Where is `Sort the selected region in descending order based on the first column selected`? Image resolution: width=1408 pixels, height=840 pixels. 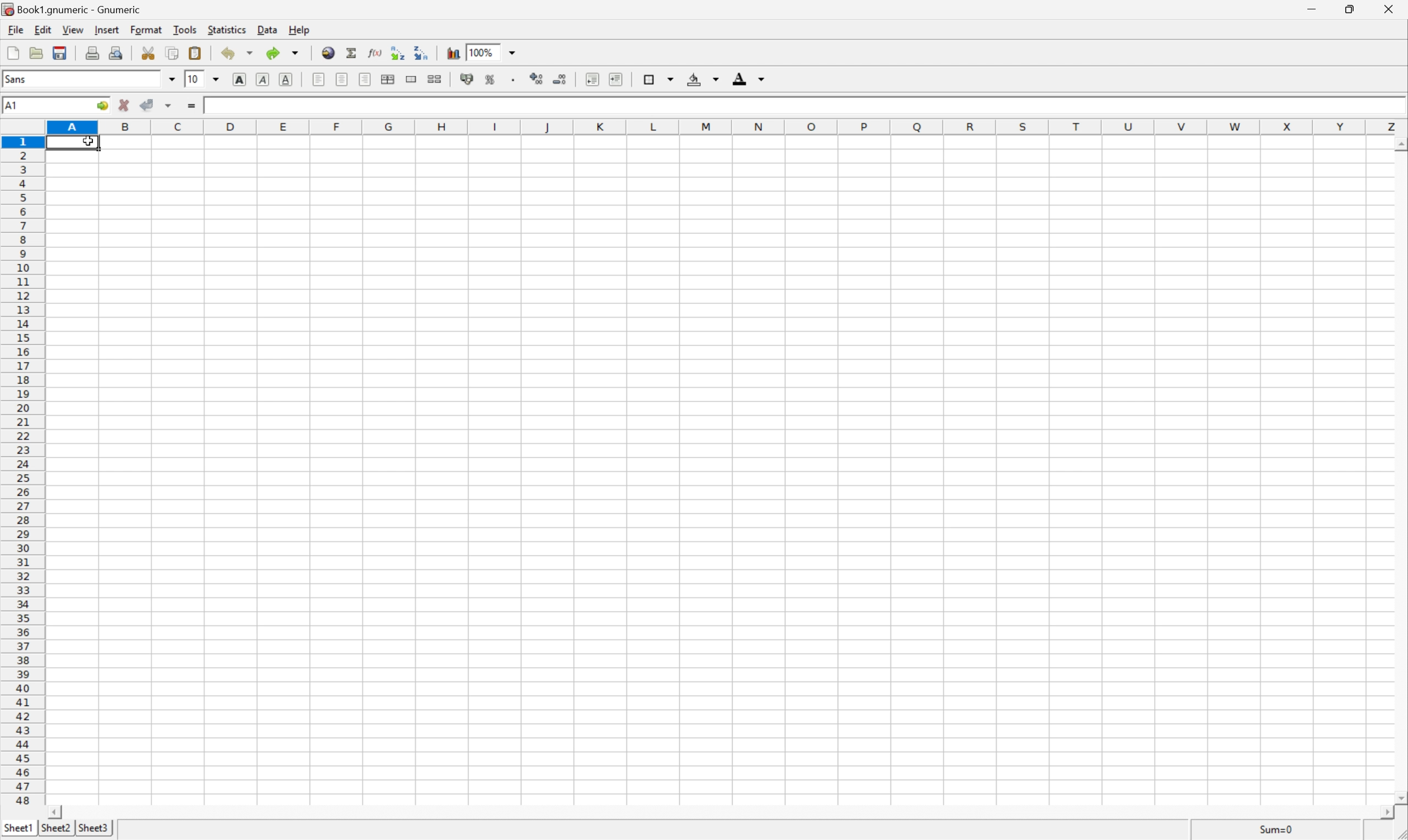
Sort the selected region in descending order based on the first column selected is located at coordinates (422, 53).